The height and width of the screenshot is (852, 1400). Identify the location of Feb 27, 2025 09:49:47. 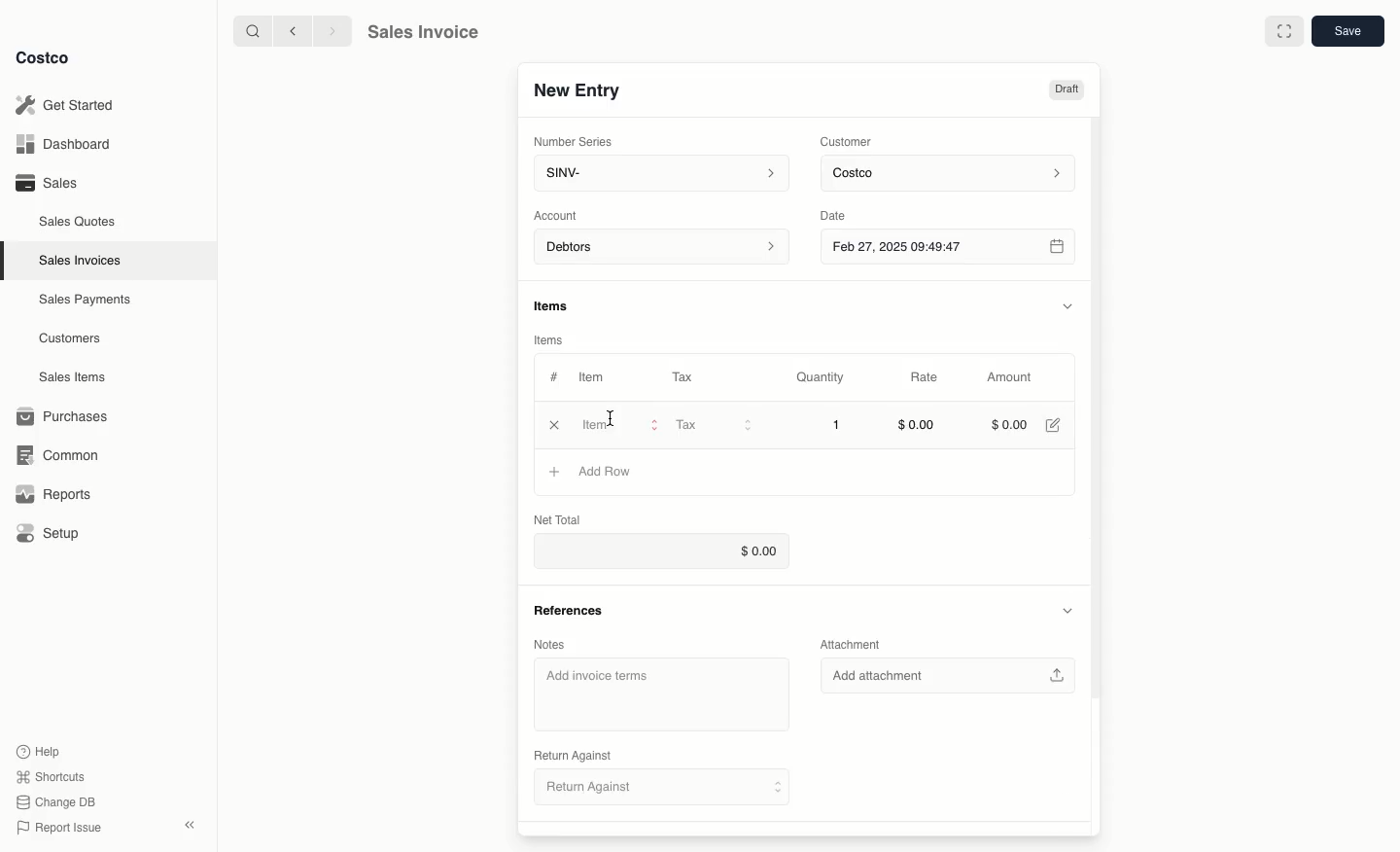
(947, 246).